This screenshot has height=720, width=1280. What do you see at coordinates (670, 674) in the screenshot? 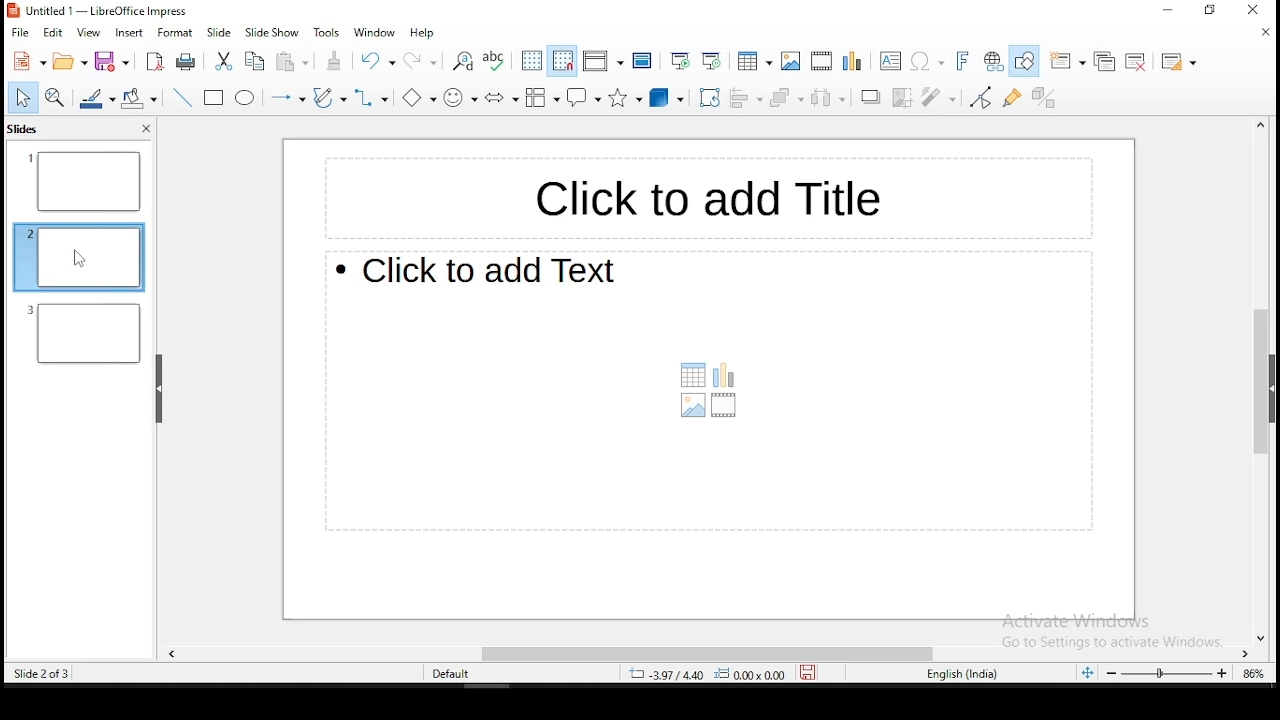
I see `3.97/4.40` at bounding box center [670, 674].